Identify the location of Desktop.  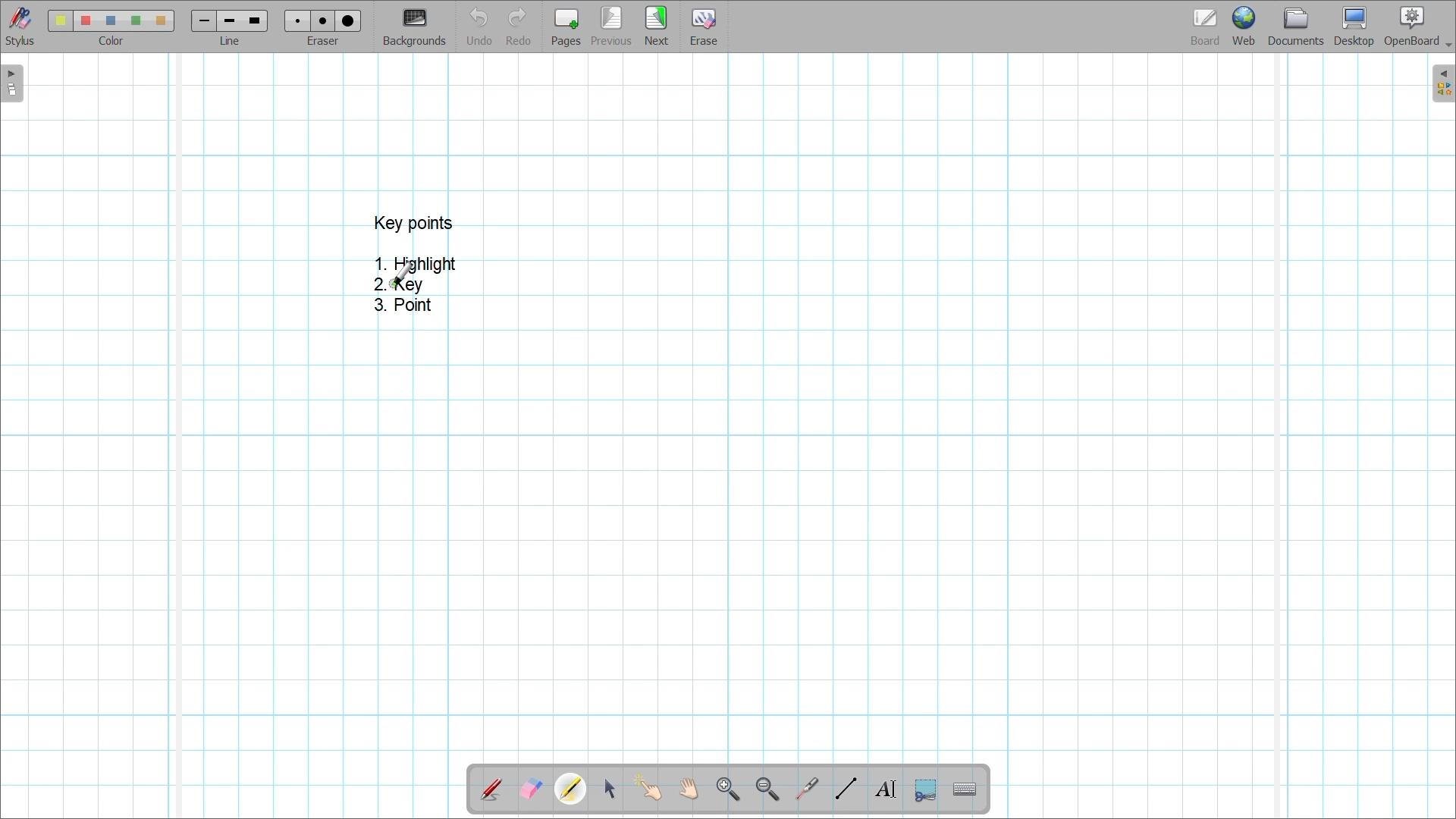
(1354, 27).